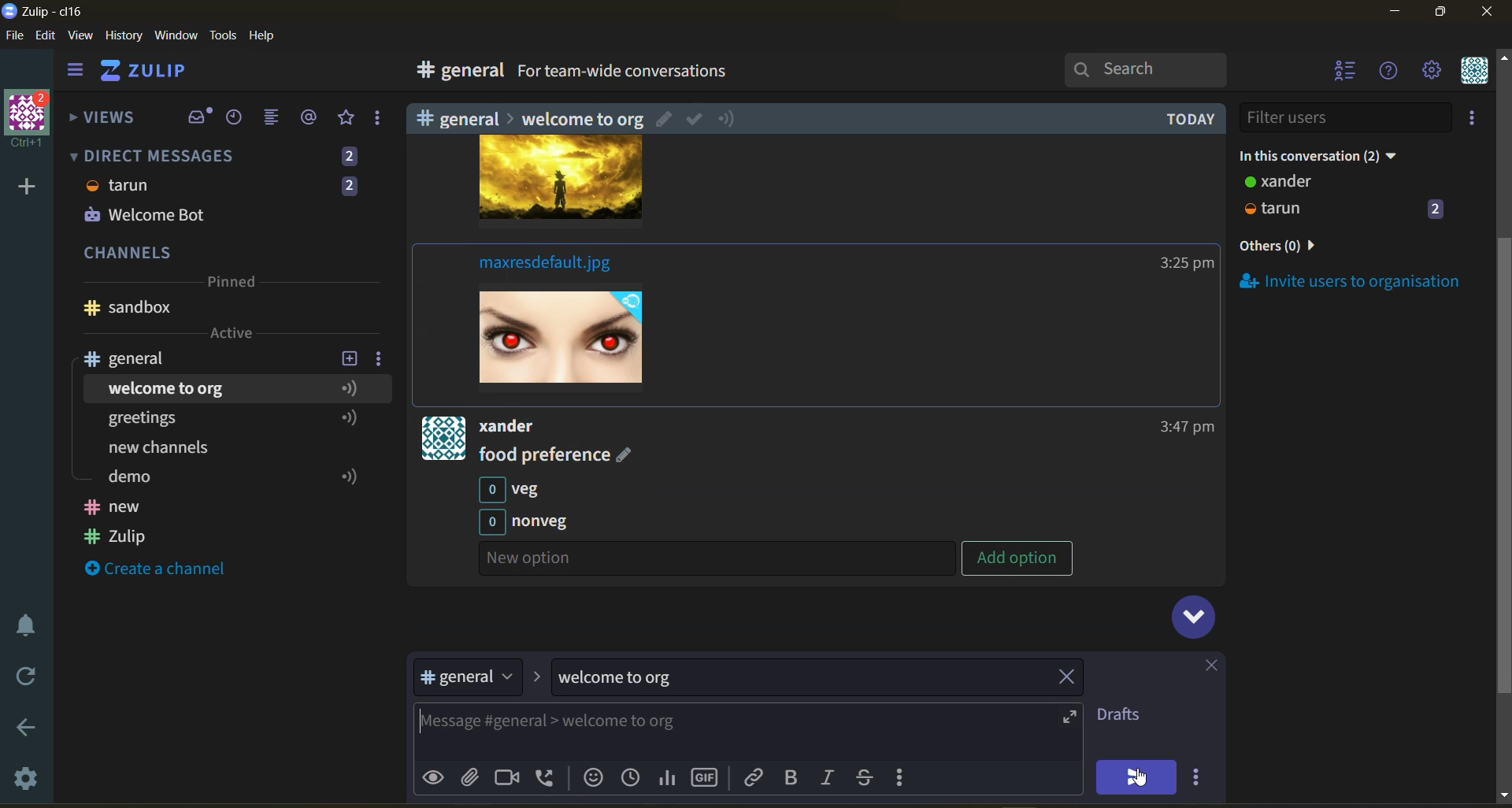  I want to click on settings menu, so click(1431, 72).